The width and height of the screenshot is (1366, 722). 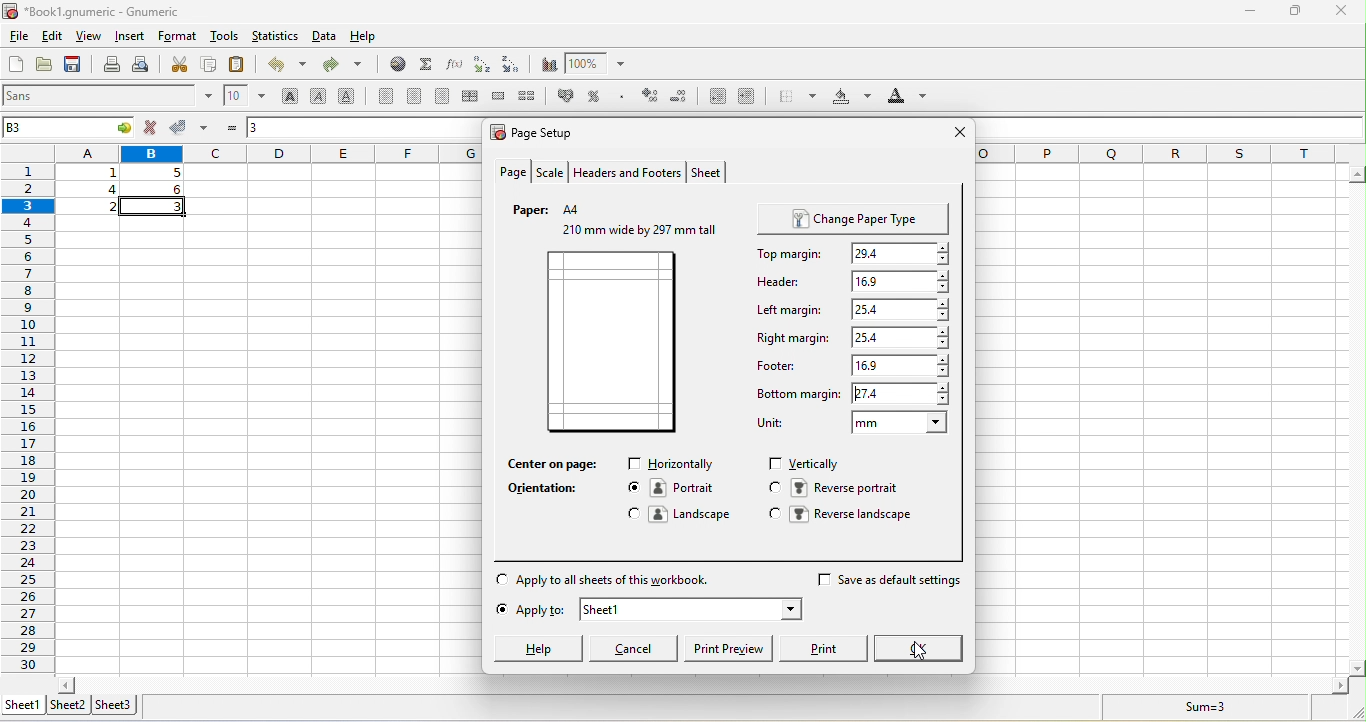 What do you see at coordinates (652, 98) in the screenshot?
I see `increase the number` at bounding box center [652, 98].